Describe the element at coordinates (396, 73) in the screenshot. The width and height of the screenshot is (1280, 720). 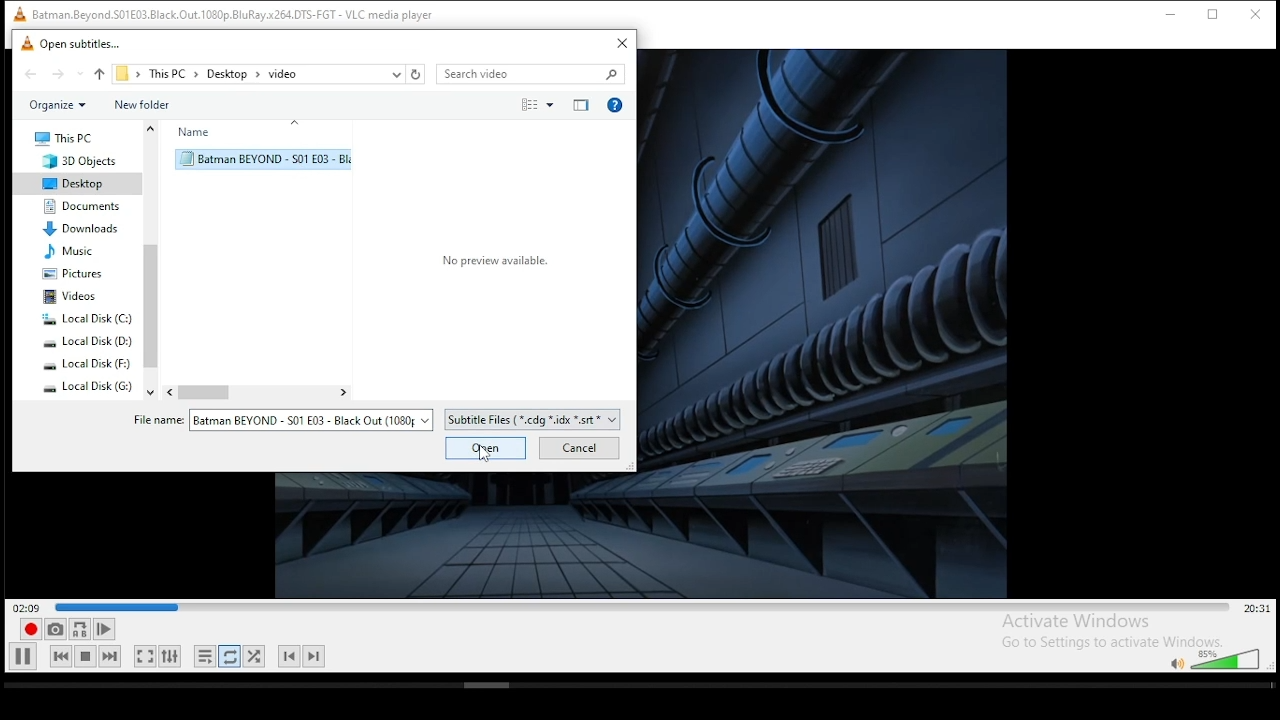
I see `recent locations` at that location.